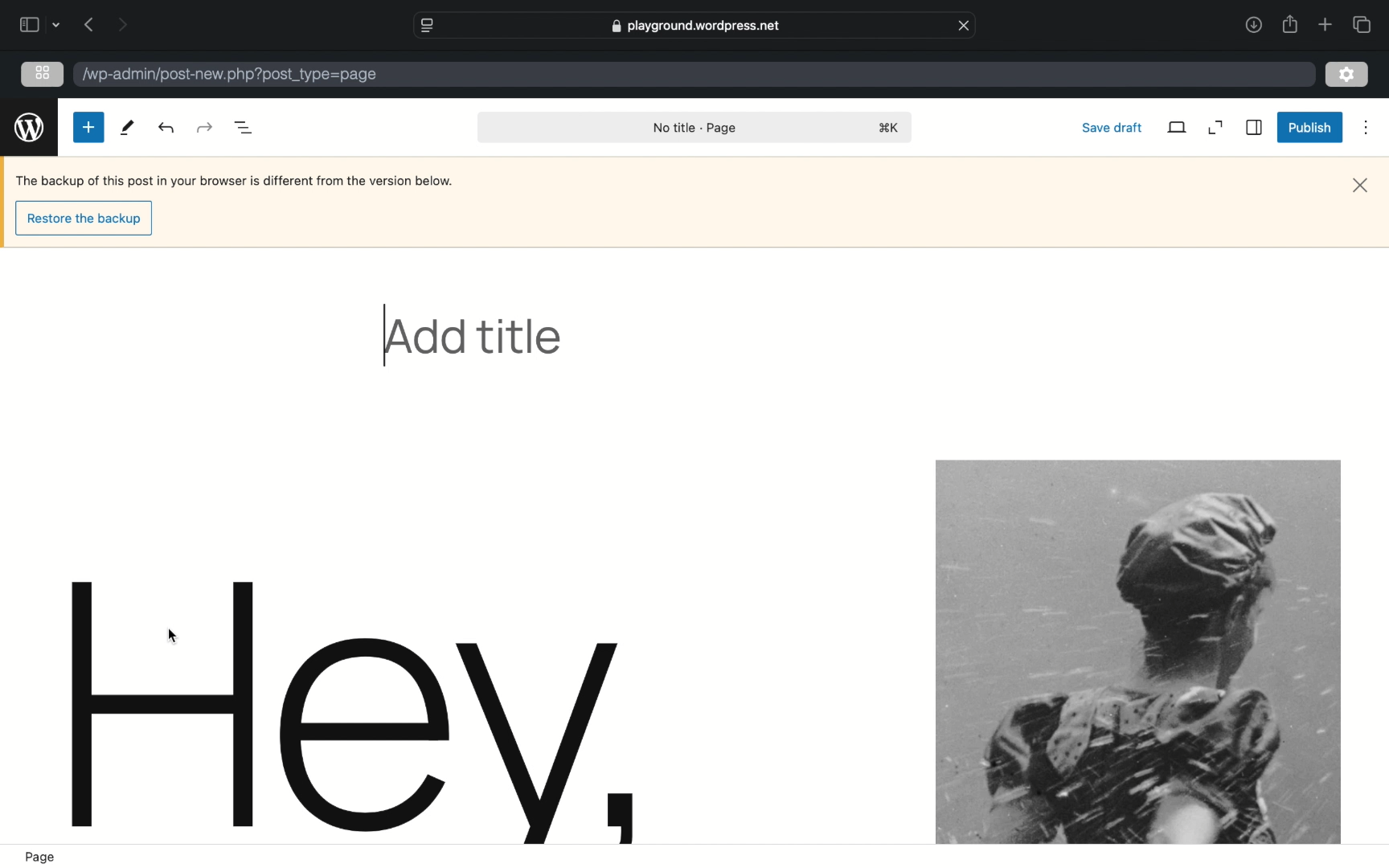 The width and height of the screenshot is (1389, 868). I want to click on share, so click(1289, 24).